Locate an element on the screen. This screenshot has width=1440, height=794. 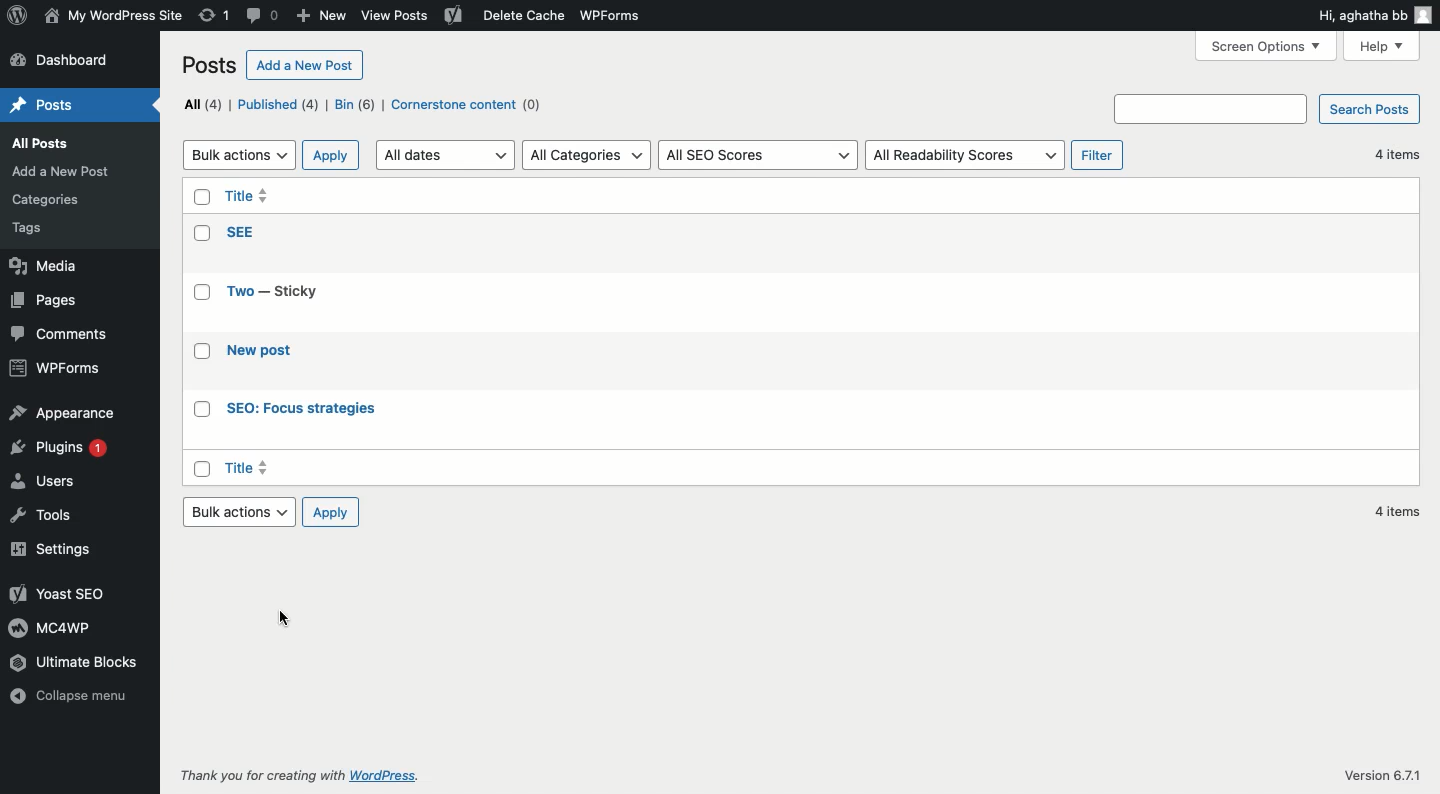
SEO: Focus strategies. is located at coordinates (303, 410).